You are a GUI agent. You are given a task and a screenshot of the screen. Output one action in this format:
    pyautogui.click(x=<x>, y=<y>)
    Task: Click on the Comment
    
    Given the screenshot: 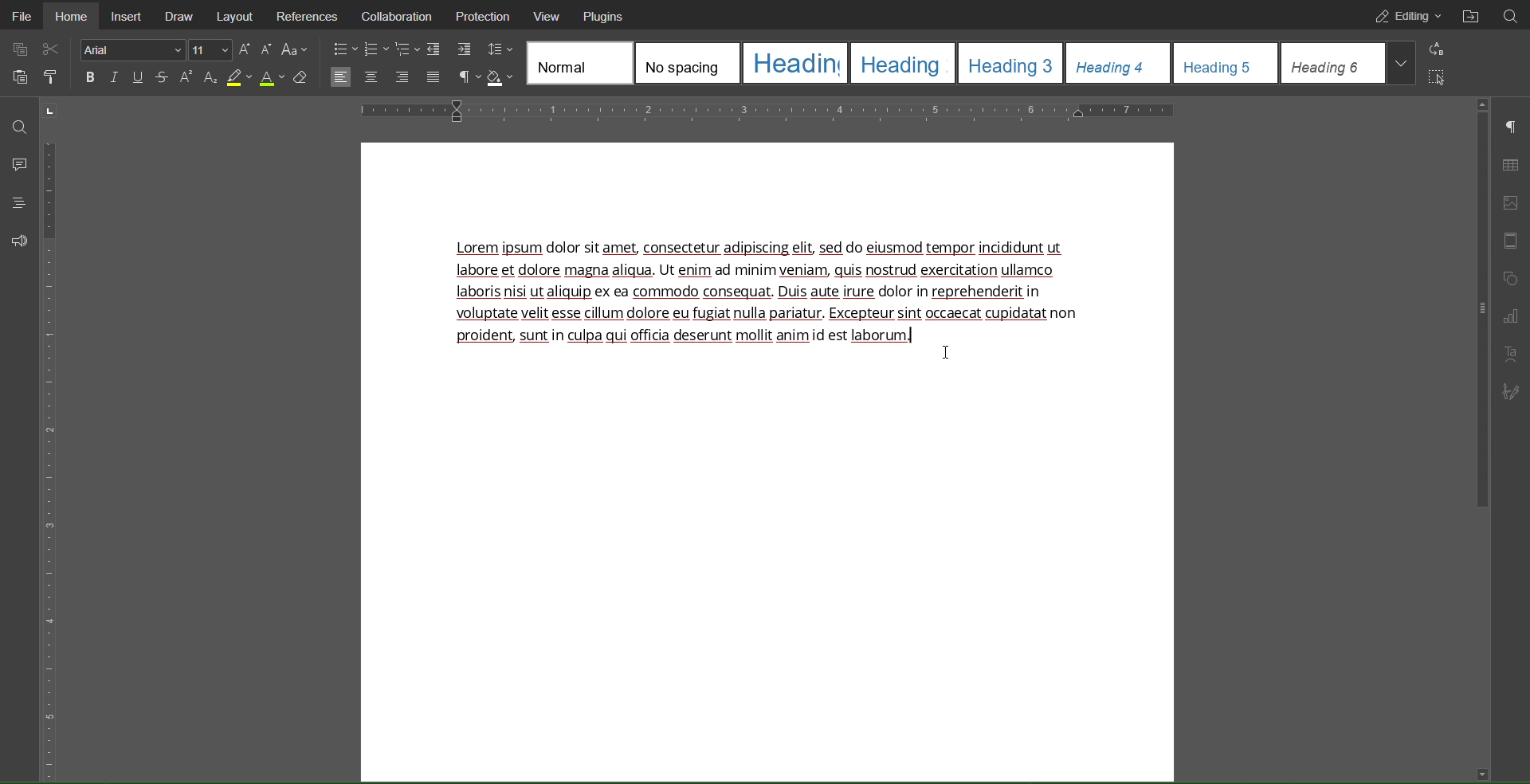 What is the action you would take?
    pyautogui.click(x=18, y=163)
    